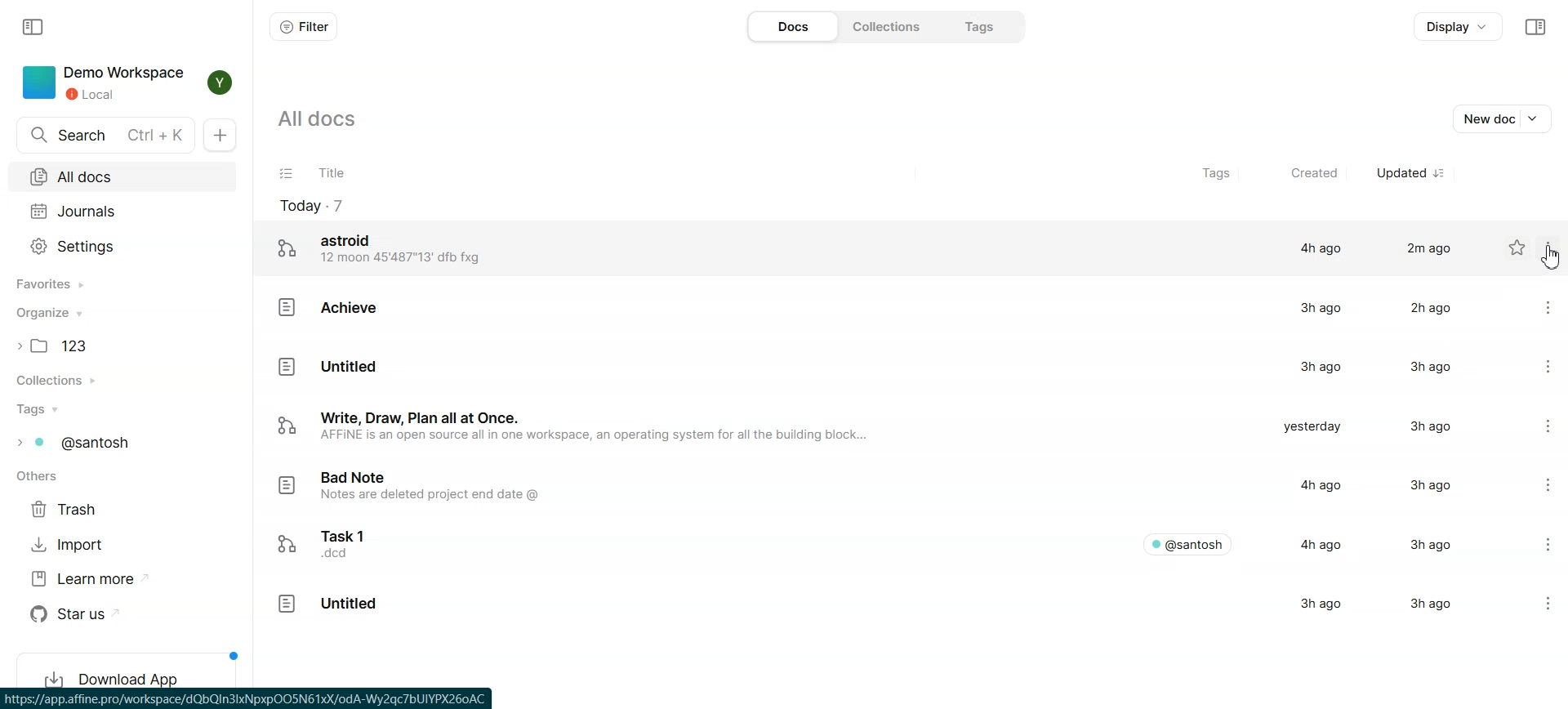 The height and width of the screenshot is (709, 1568). What do you see at coordinates (332, 306) in the screenshot?
I see `Achieve` at bounding box center [332, 306].